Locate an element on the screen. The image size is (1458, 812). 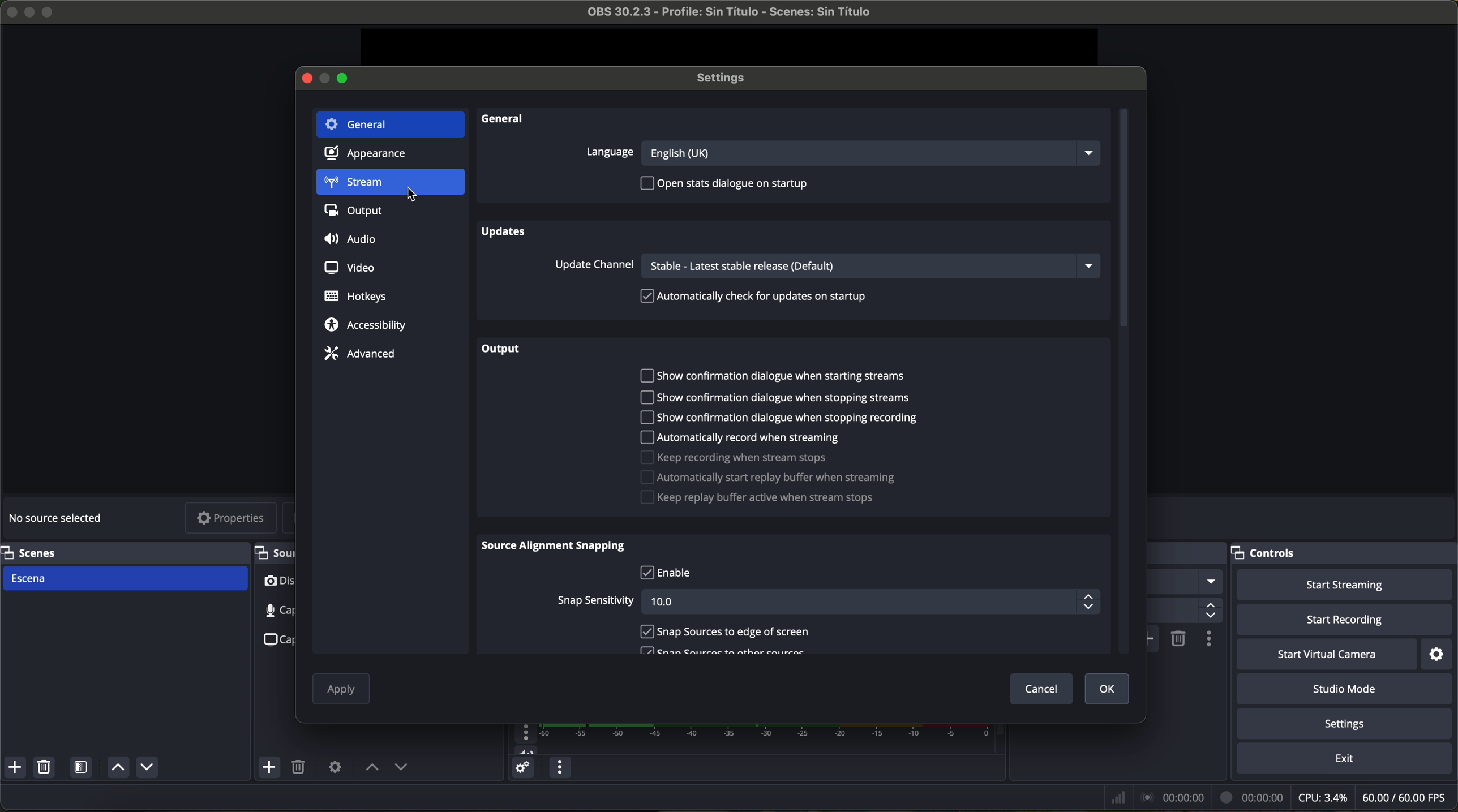
open starts dialogue on startup is located at coordinates (738, 185).